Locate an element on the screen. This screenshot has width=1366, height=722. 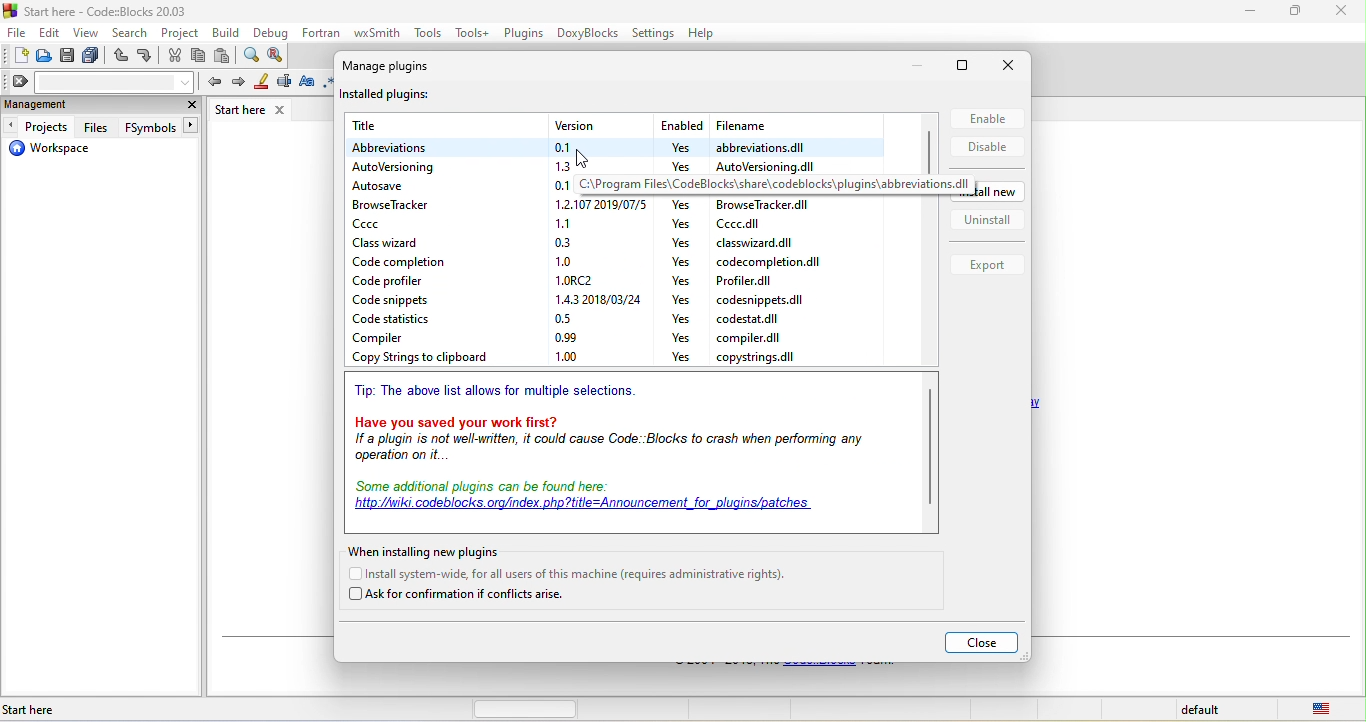
version  is located at coordinates (566, 317).